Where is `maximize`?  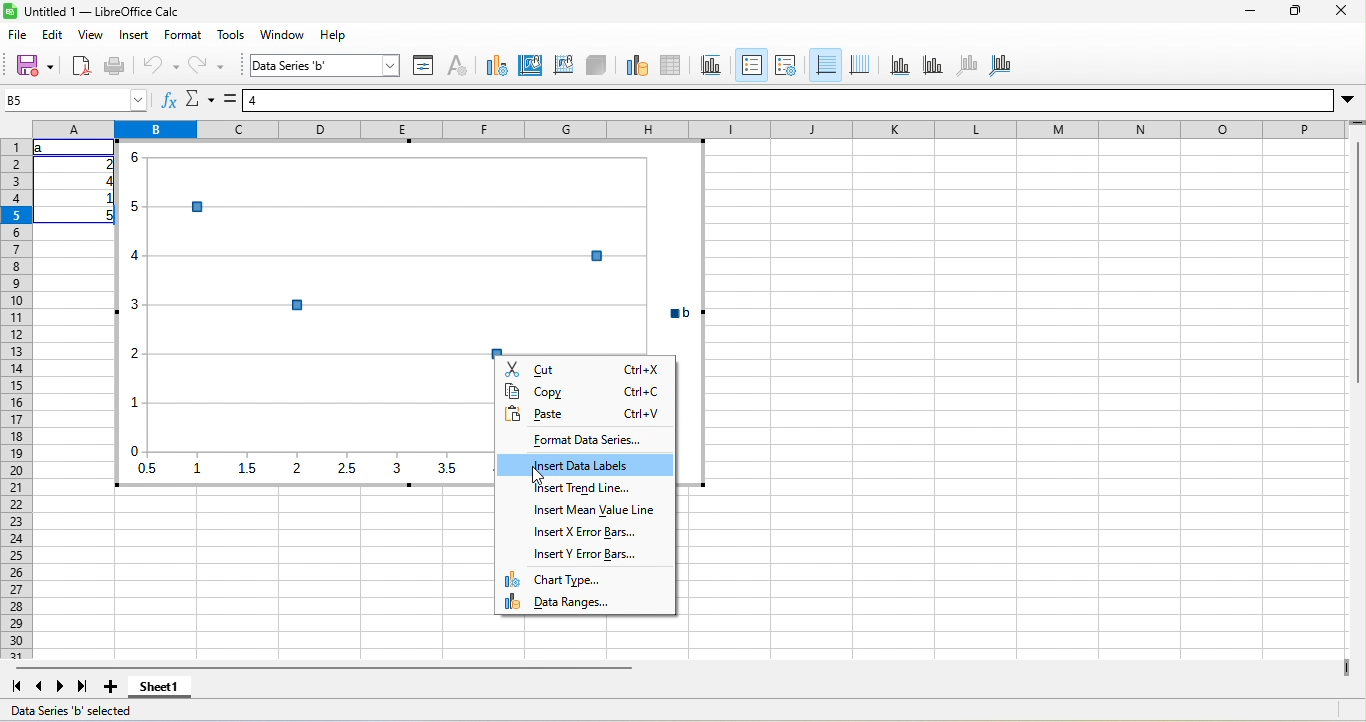
maximize is located at coordinates (1295, 10).